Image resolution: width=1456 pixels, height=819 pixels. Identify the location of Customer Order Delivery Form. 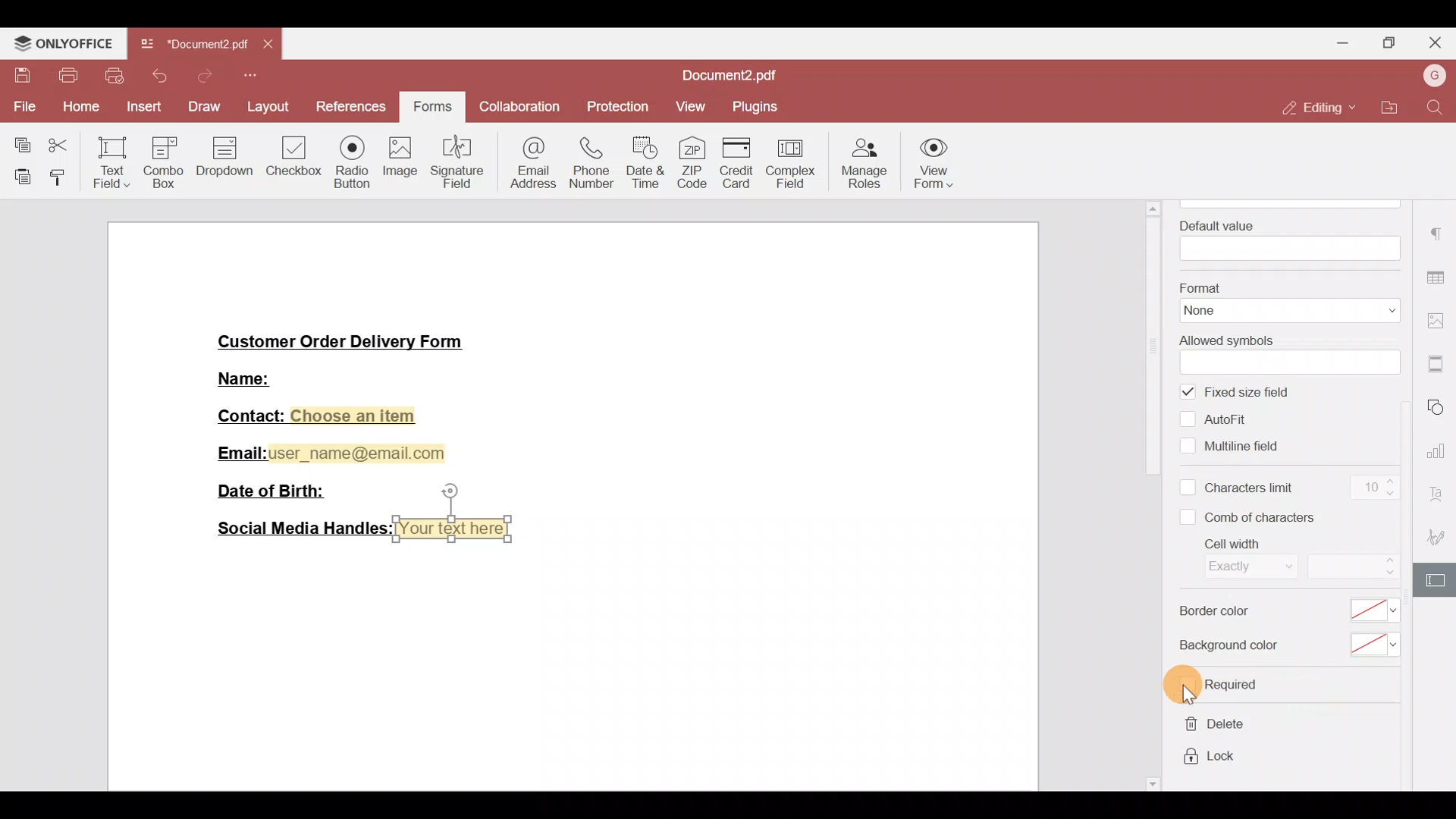
(351, 340).